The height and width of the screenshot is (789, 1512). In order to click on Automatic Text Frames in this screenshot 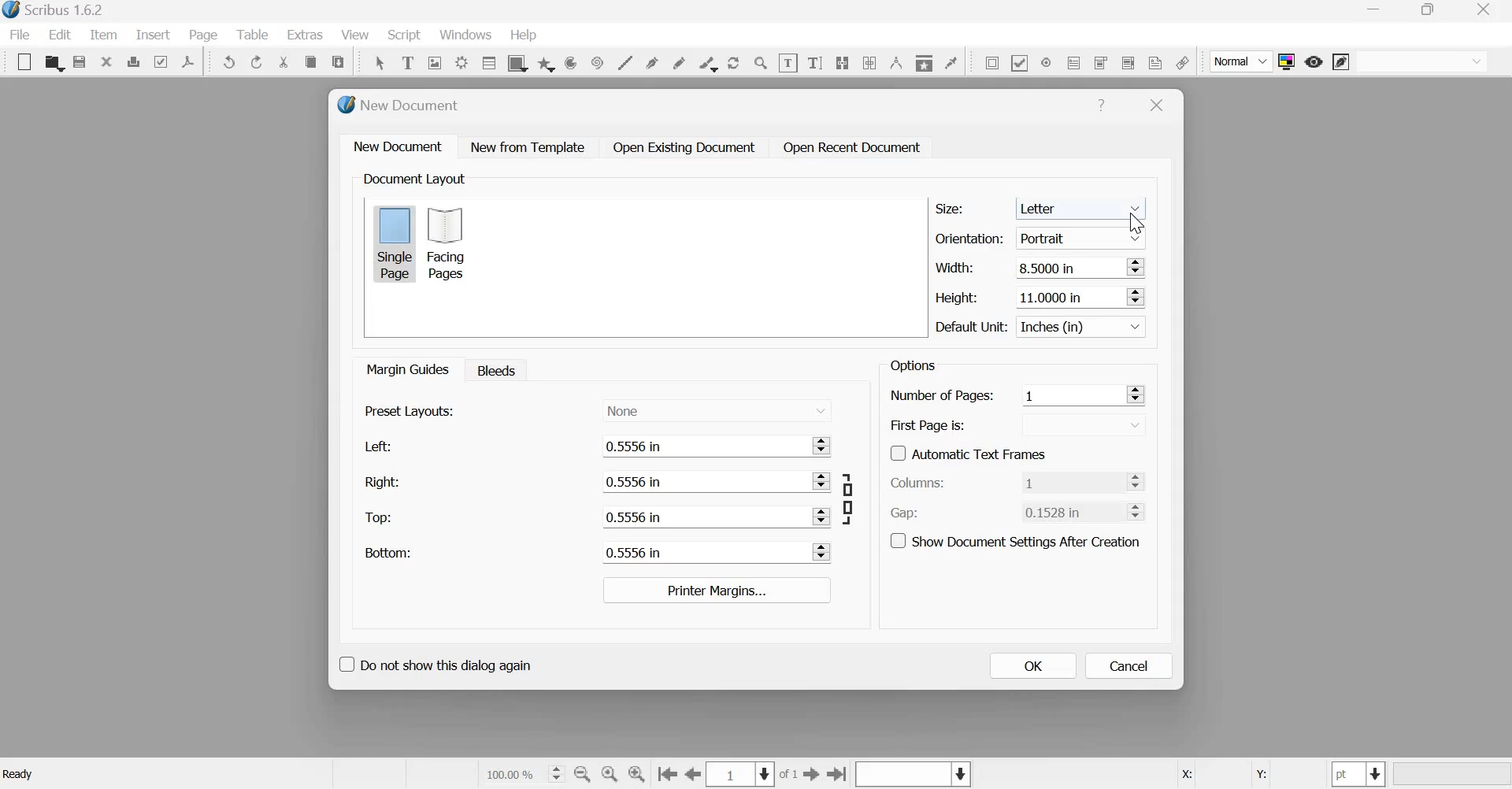, I will do `click(969, 452)`.